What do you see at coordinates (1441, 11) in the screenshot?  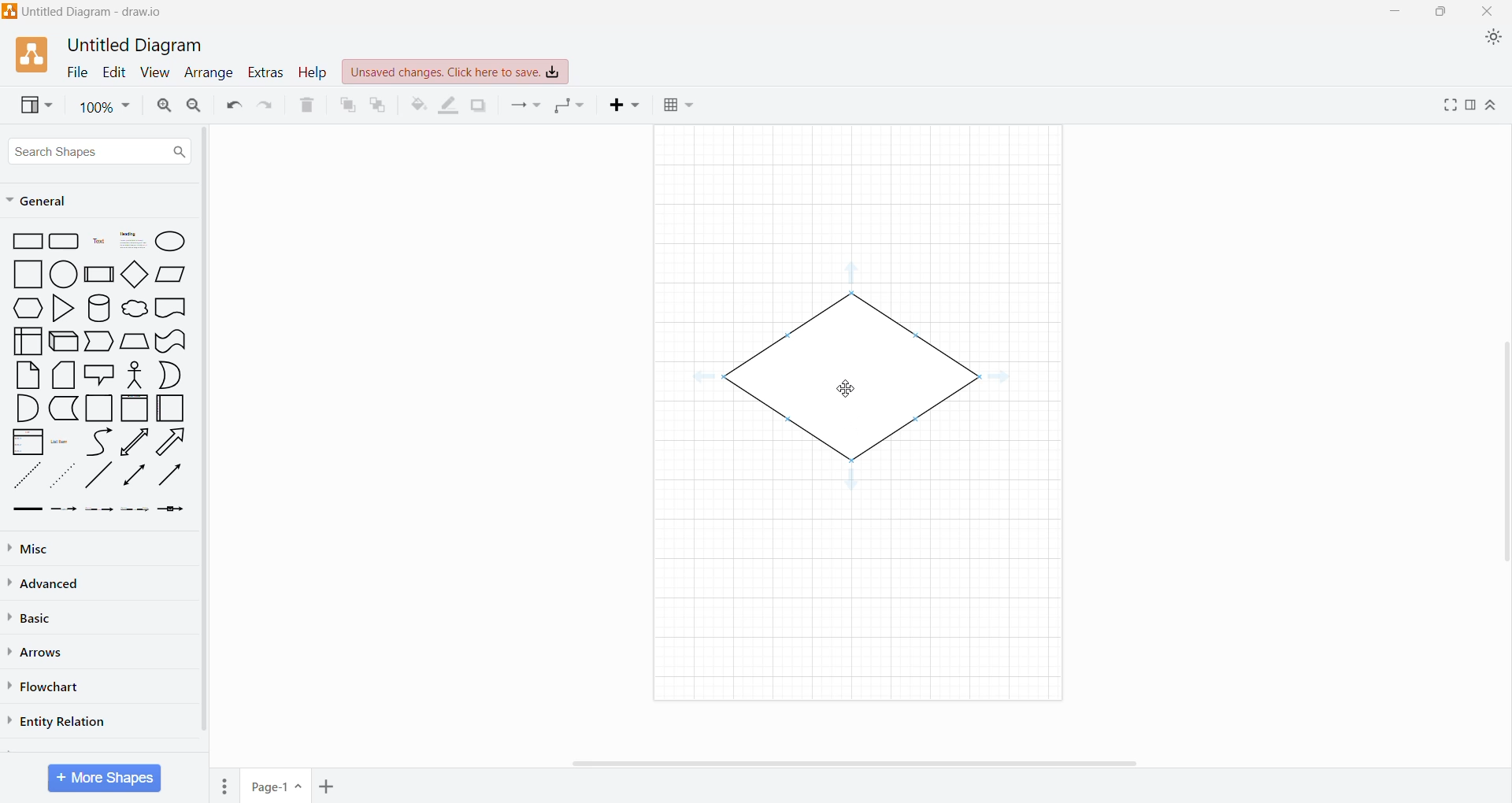 I see `Restore Down` at bounding box center [1441, 11].